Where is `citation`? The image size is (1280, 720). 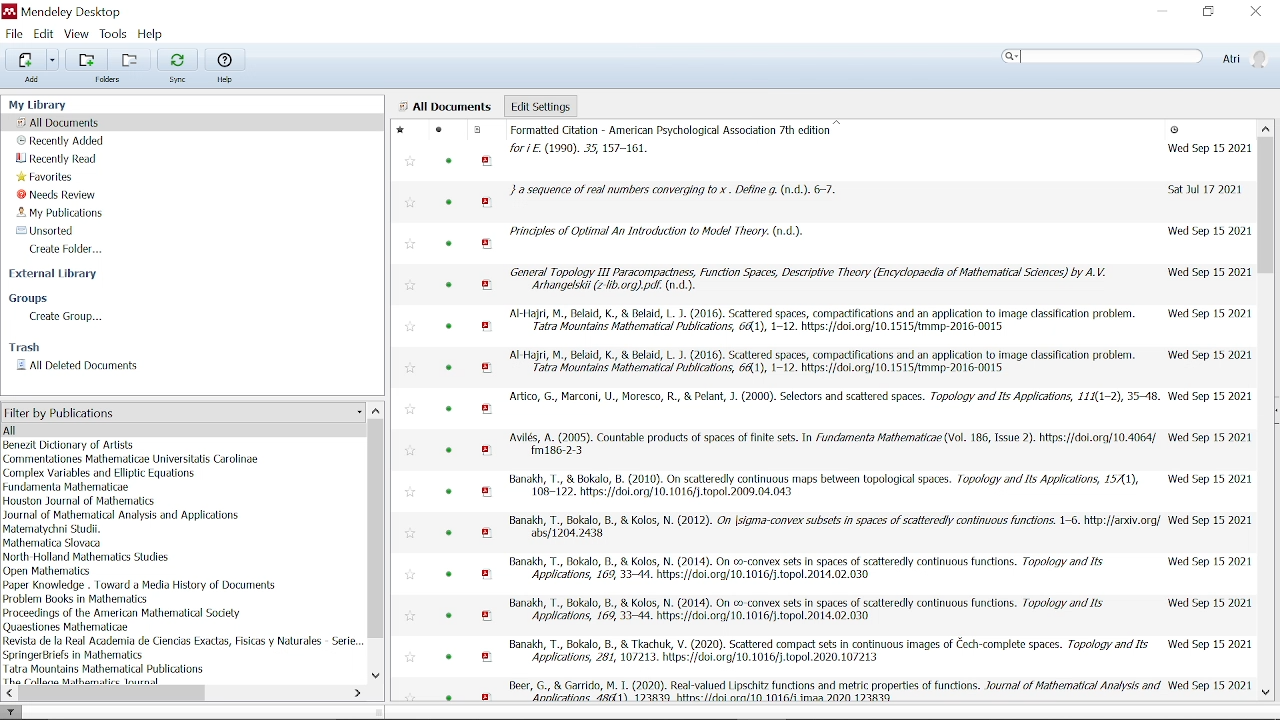
citation is located at coordinates (656, 231).